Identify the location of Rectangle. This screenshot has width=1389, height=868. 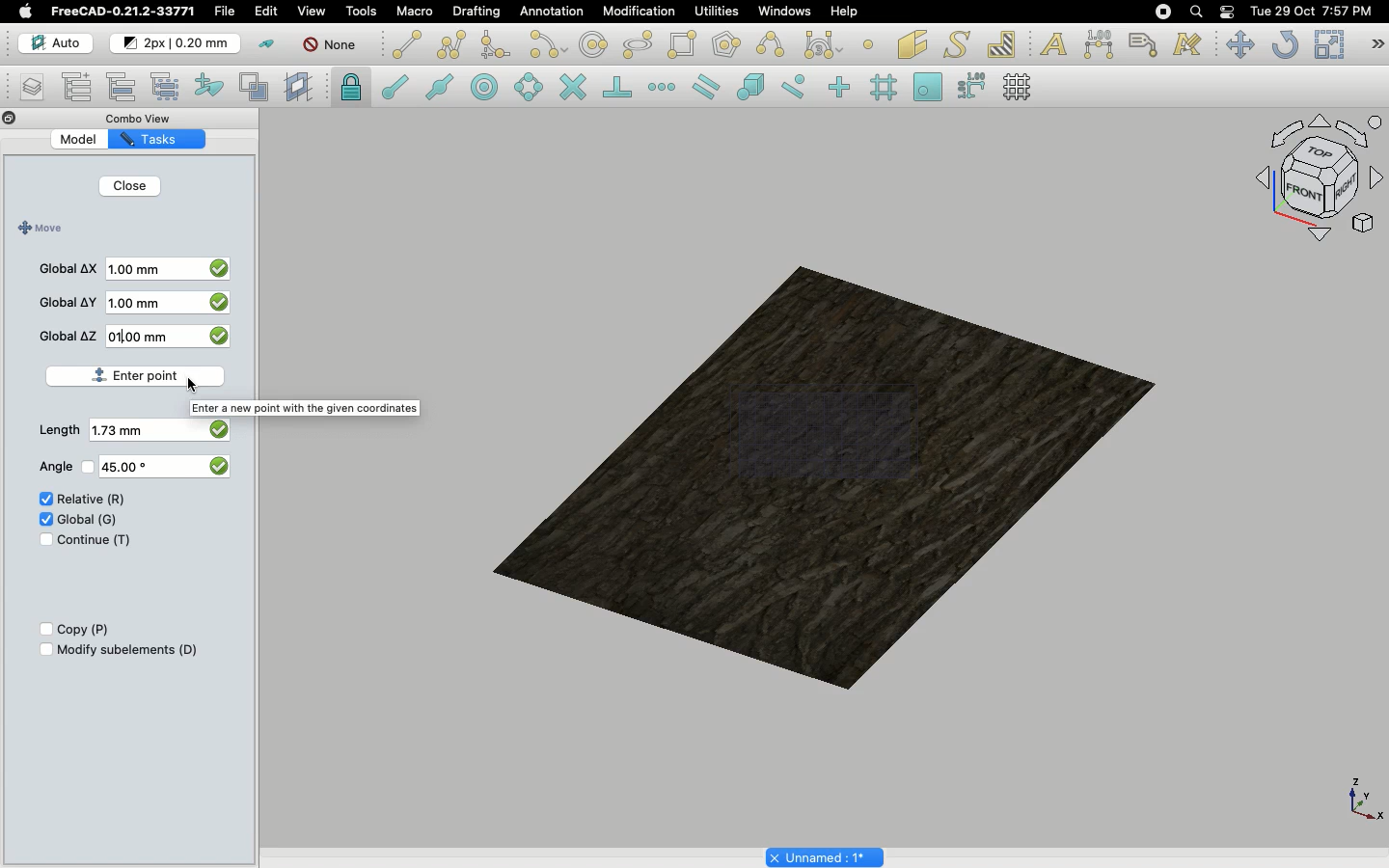
(686, 45).